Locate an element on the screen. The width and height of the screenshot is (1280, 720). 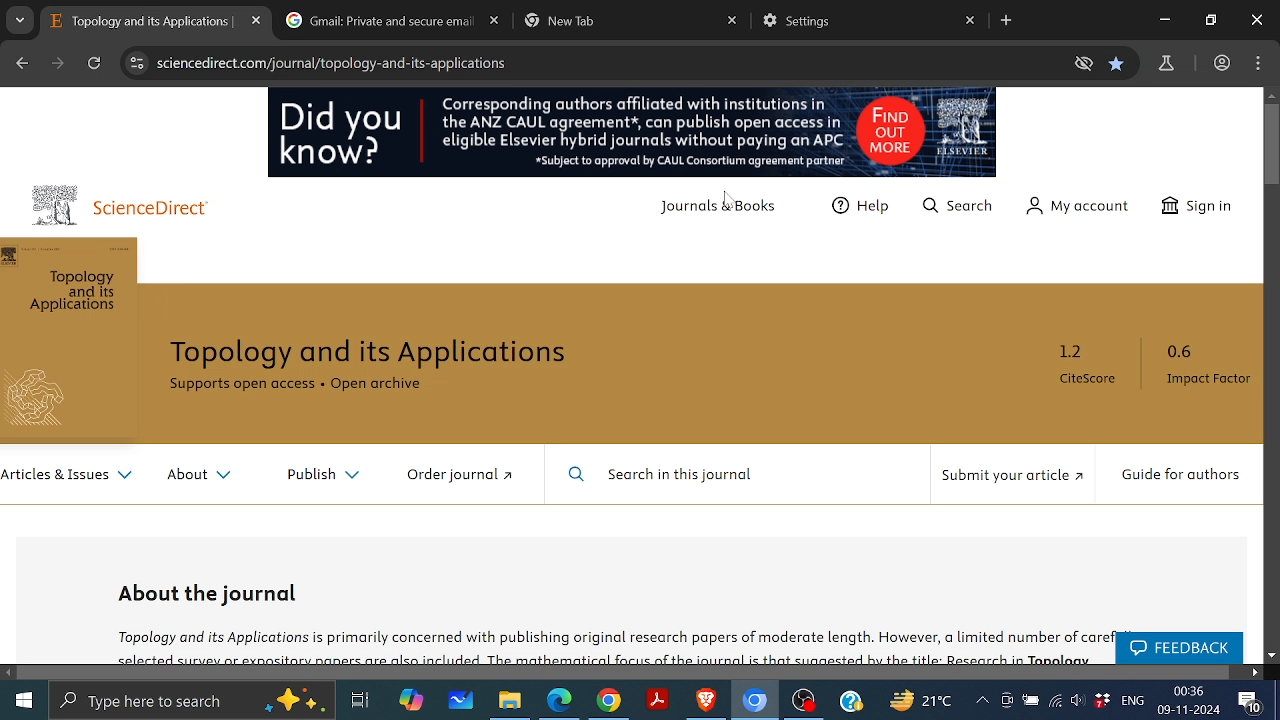
cursor is located at coordinates (724, 200).